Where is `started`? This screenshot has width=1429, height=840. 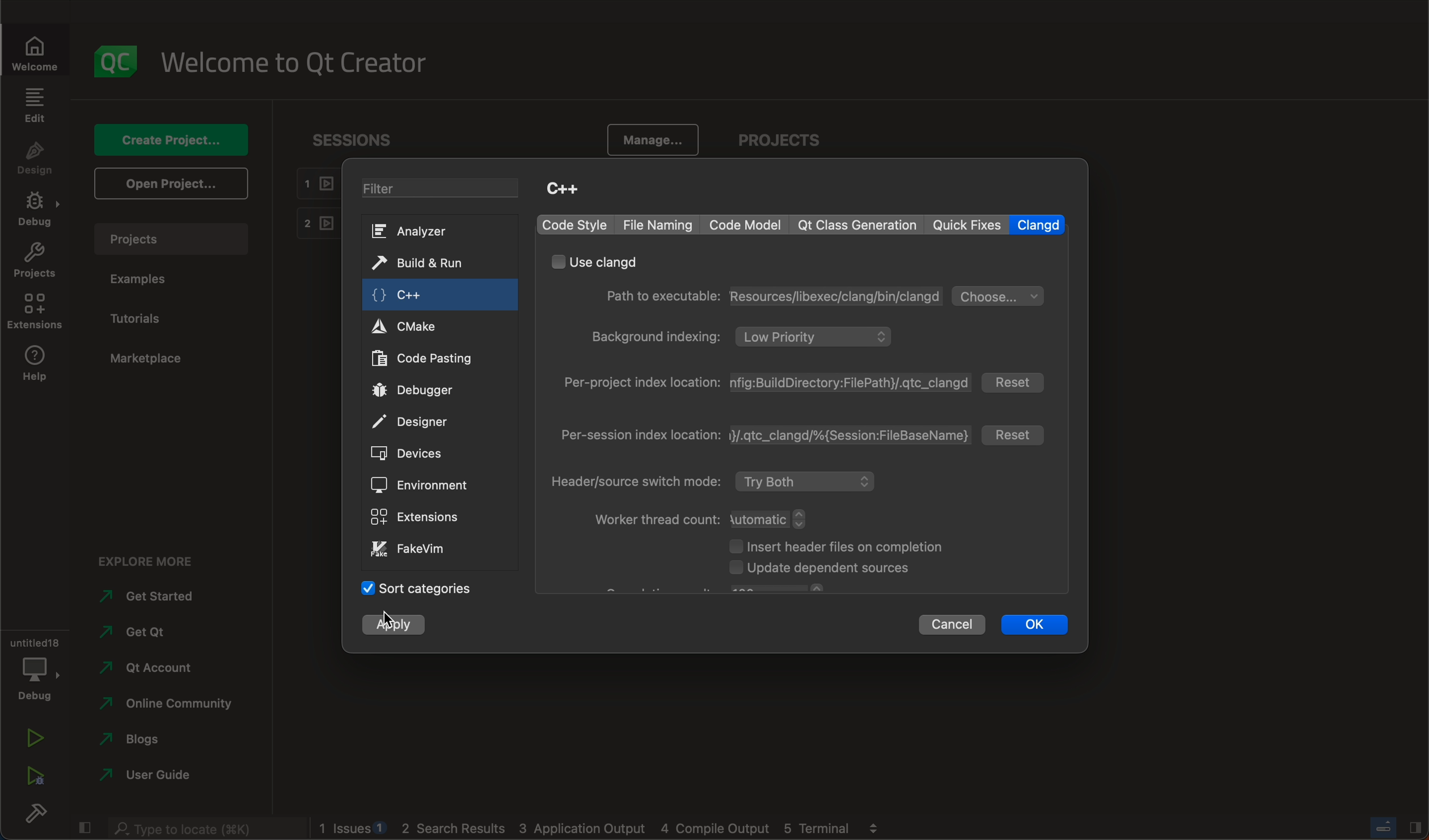
started is located at coordinates (146, 595).